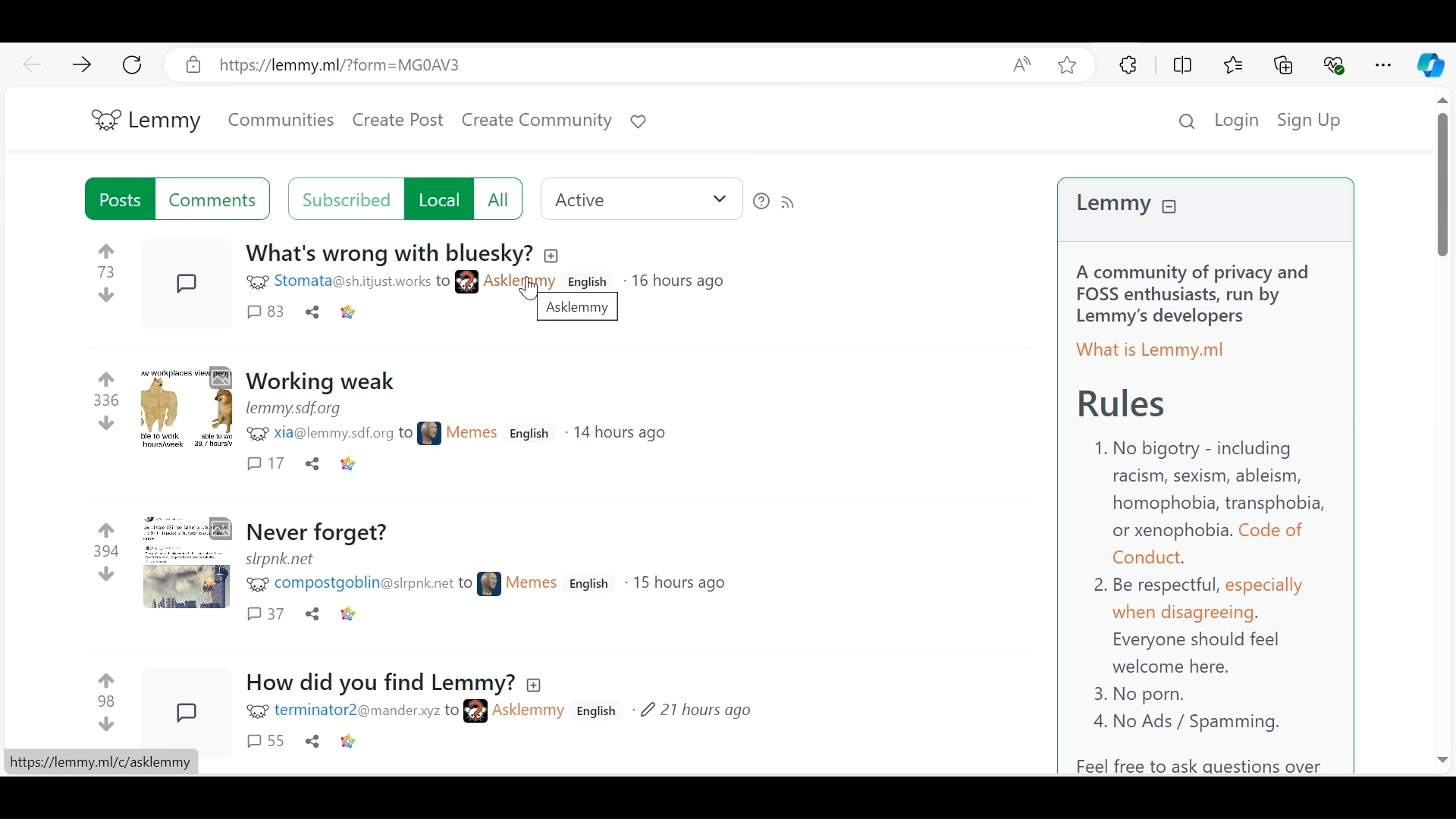 The width and height of the screenshot is (1456, 819). What do you see at coordinates (189, 408) in the screenshot?
I see `Comments` at bounding box center [189, 408].